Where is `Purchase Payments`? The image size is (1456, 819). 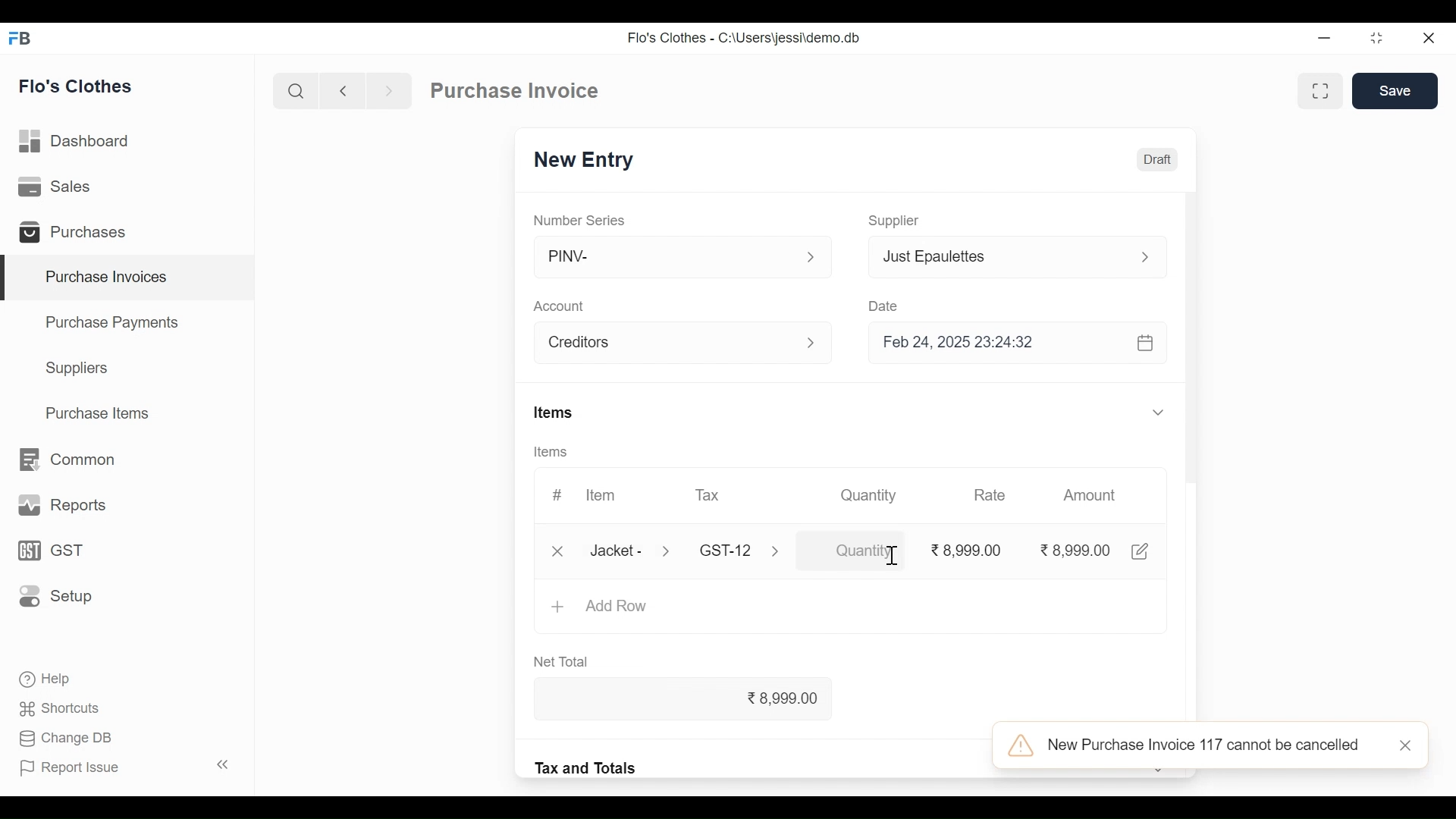
Purchase Payments is located at coordinates (111, 322).